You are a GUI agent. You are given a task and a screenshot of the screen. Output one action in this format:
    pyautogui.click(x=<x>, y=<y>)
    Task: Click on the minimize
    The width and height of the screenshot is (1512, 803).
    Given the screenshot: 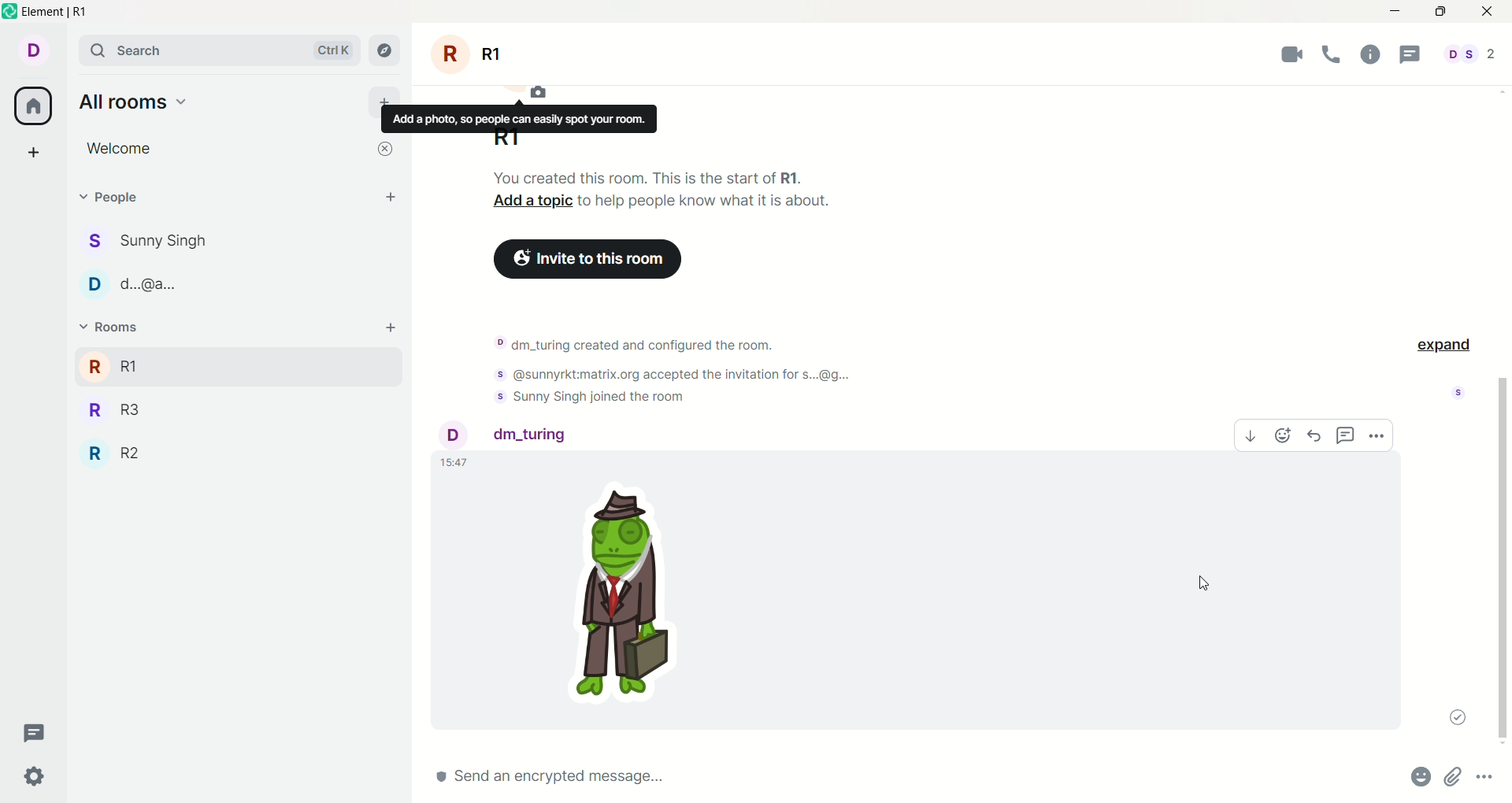 What is the action you would take?
    pyautogui.click(x=1395, y=12)
    